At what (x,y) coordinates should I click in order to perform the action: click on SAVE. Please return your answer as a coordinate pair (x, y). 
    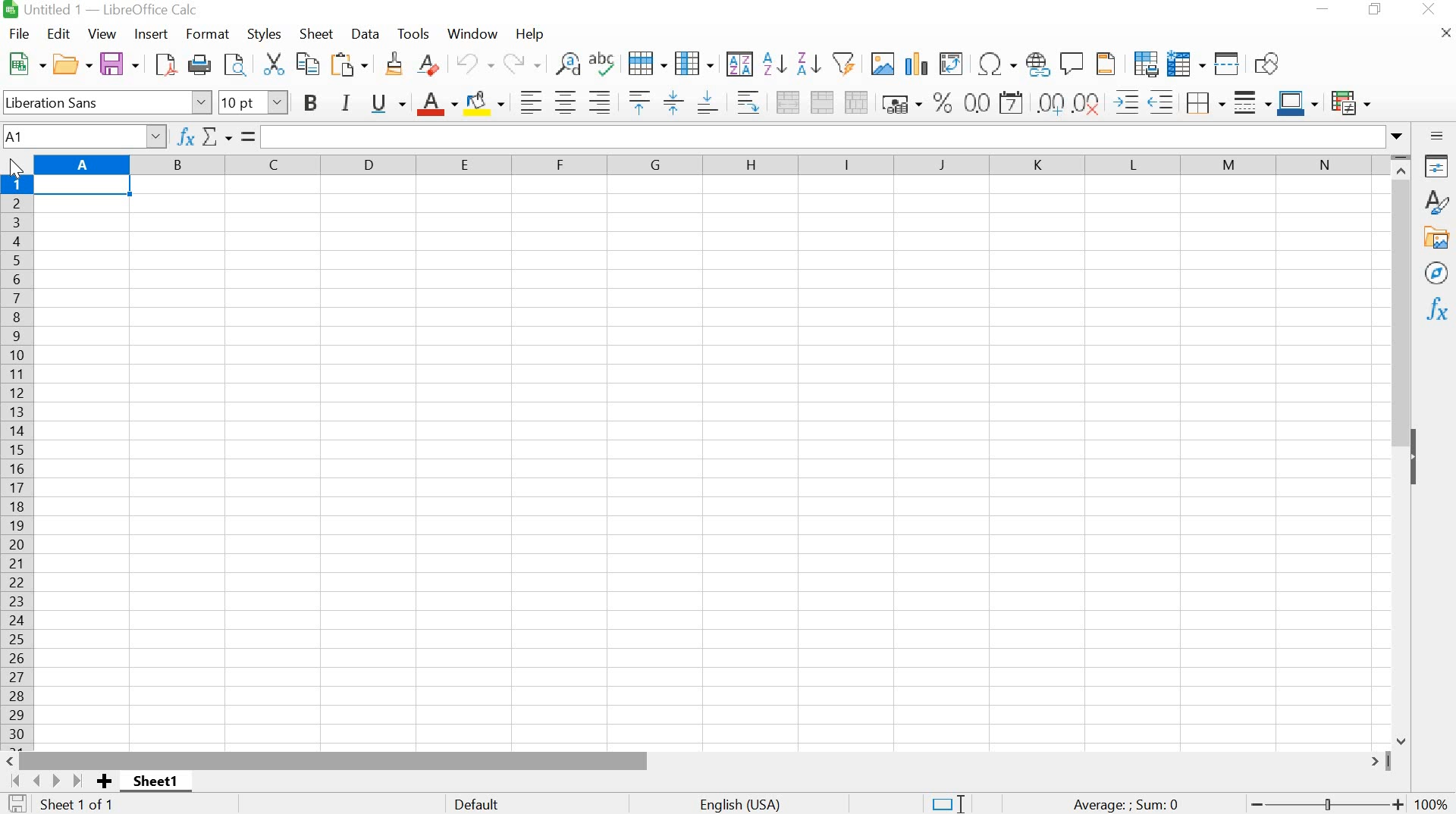
    Looking at the image, I should click on (17, 803).